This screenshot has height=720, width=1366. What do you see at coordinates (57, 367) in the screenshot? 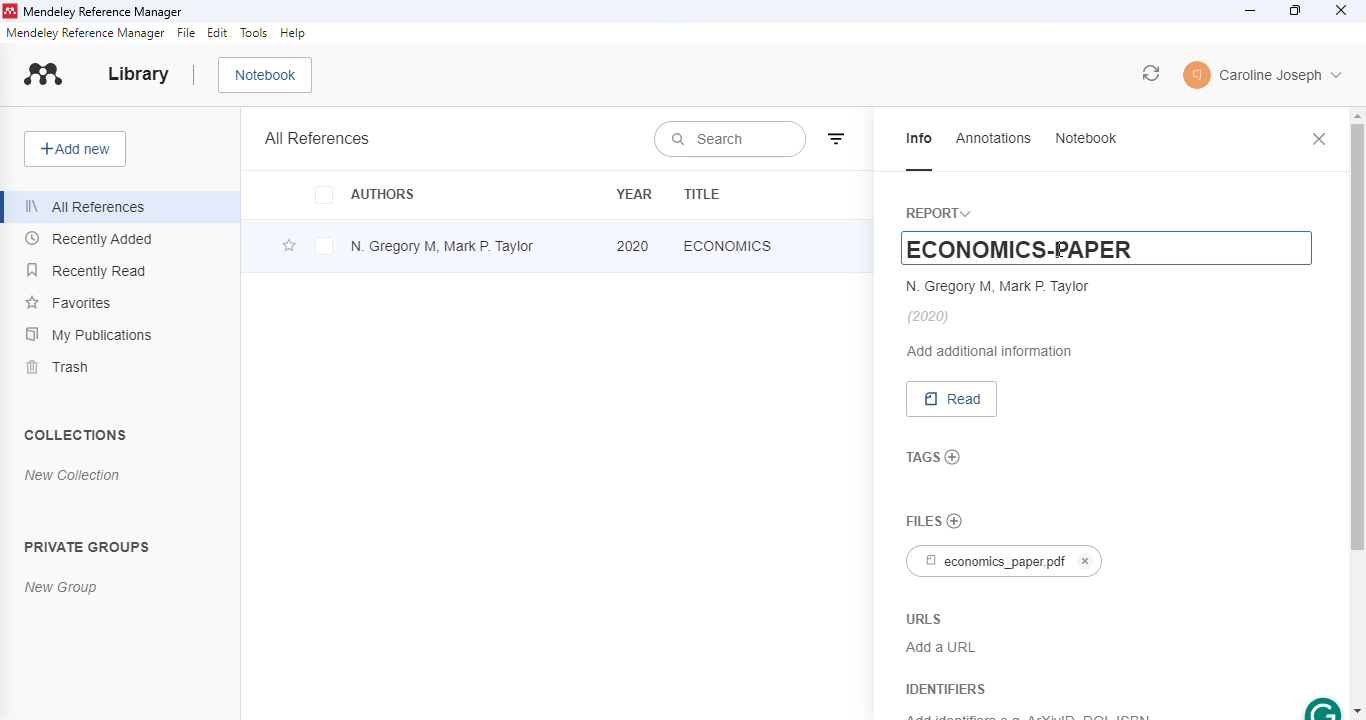
I see `trash` at bounding box center [57, 367].